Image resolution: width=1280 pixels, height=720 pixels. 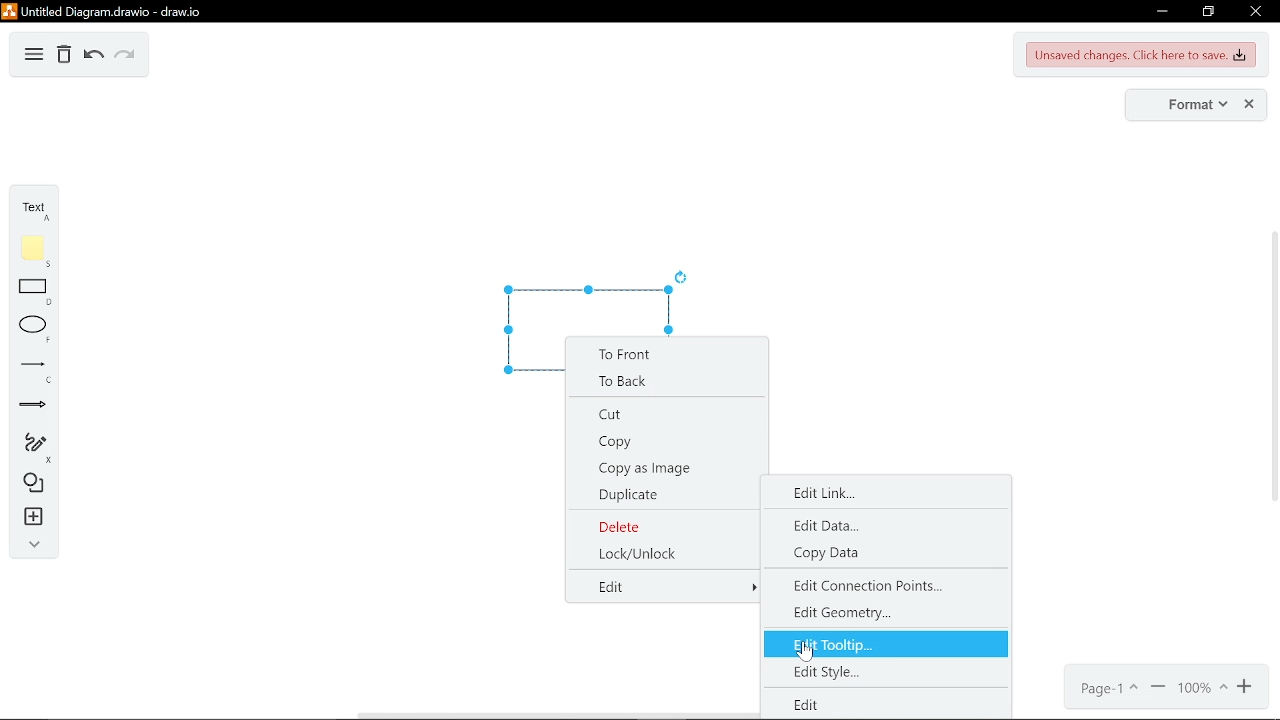 I want to click on duplicate, so click(x=663, y=496).